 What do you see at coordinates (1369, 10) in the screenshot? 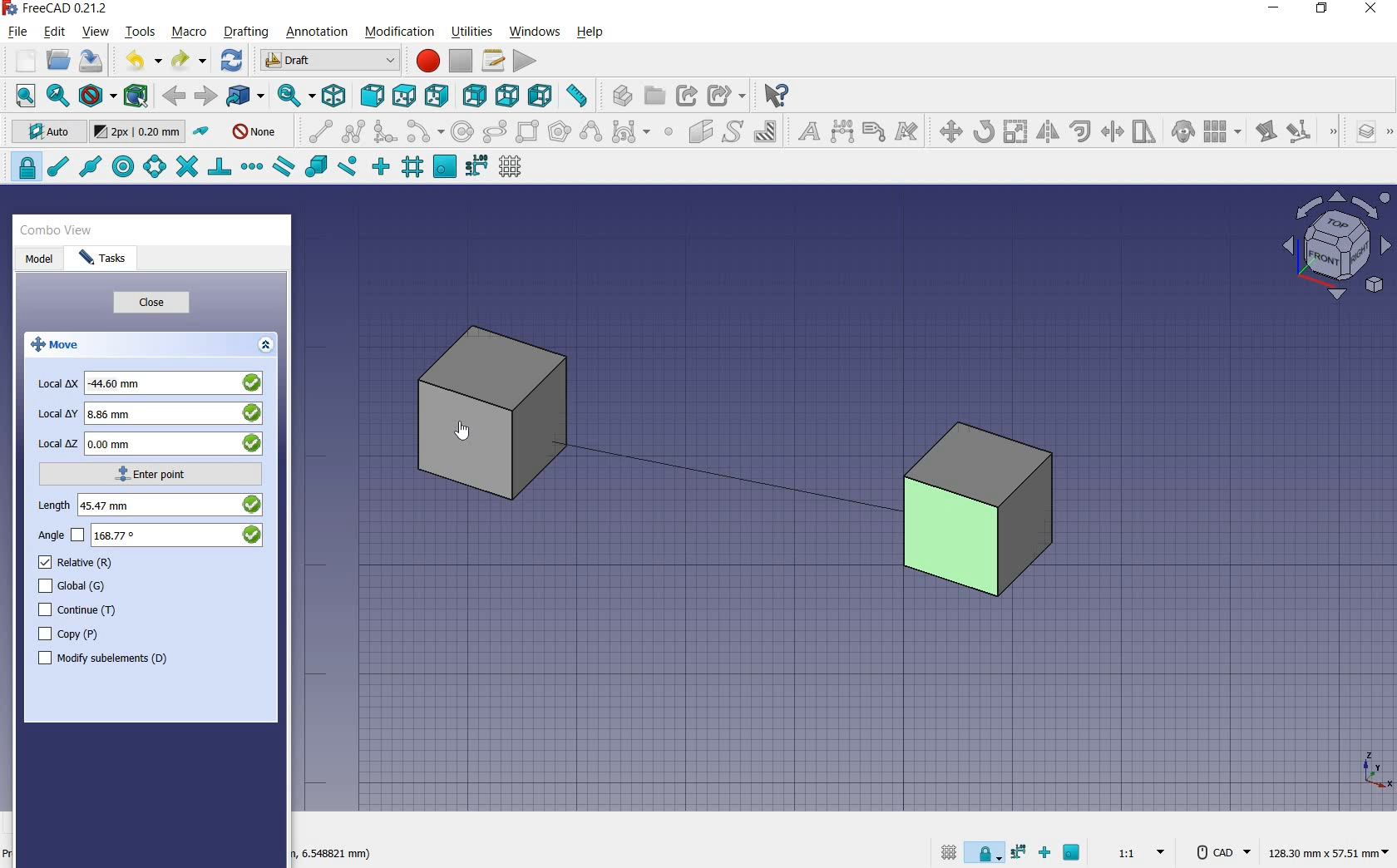
I see `close` at bounding box center [1369, 10].